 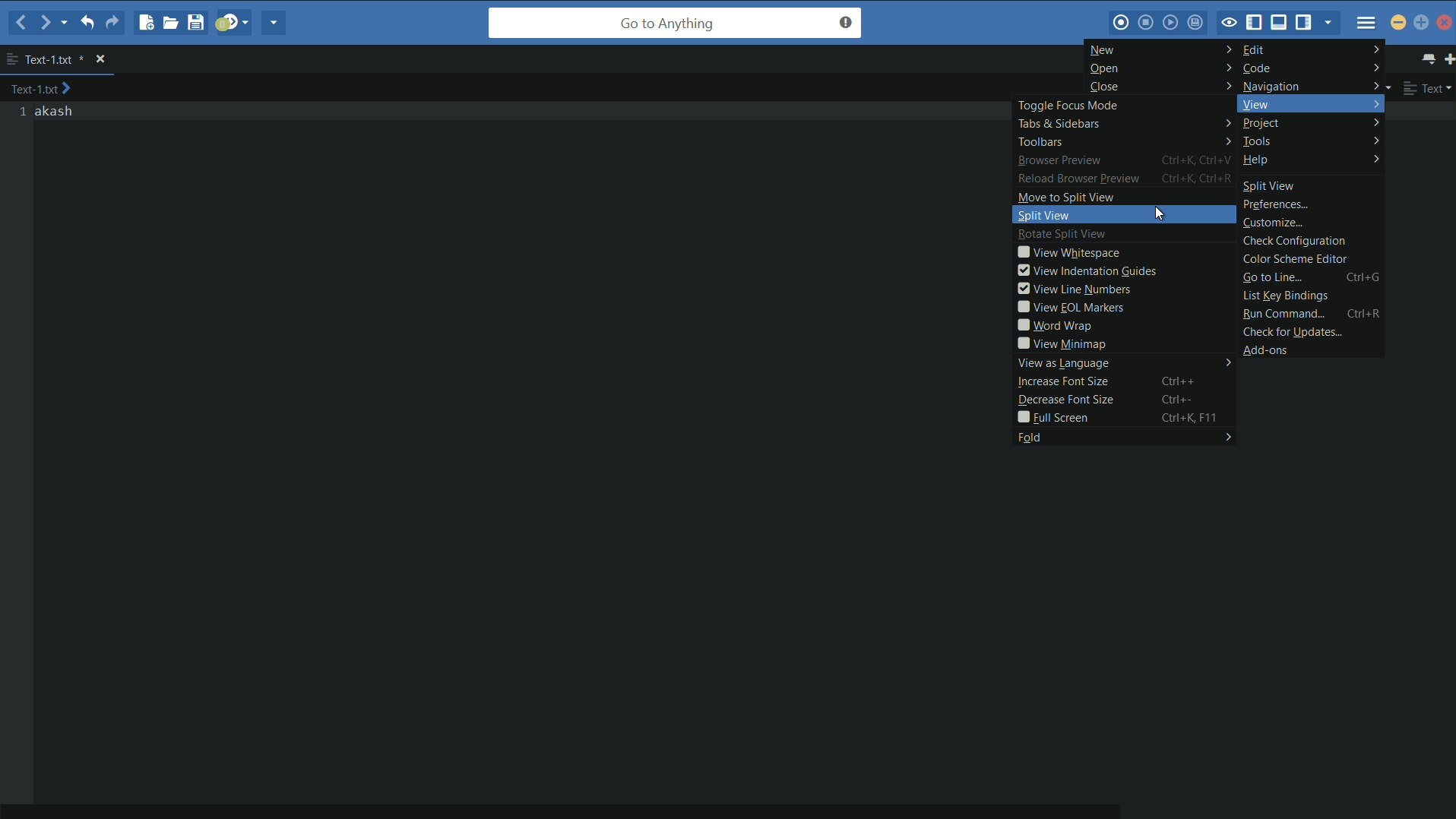 What do you see at coordinates (1125, 288) in the screenshot?
I see `view line numbers` at bounding box center [1125, 288].